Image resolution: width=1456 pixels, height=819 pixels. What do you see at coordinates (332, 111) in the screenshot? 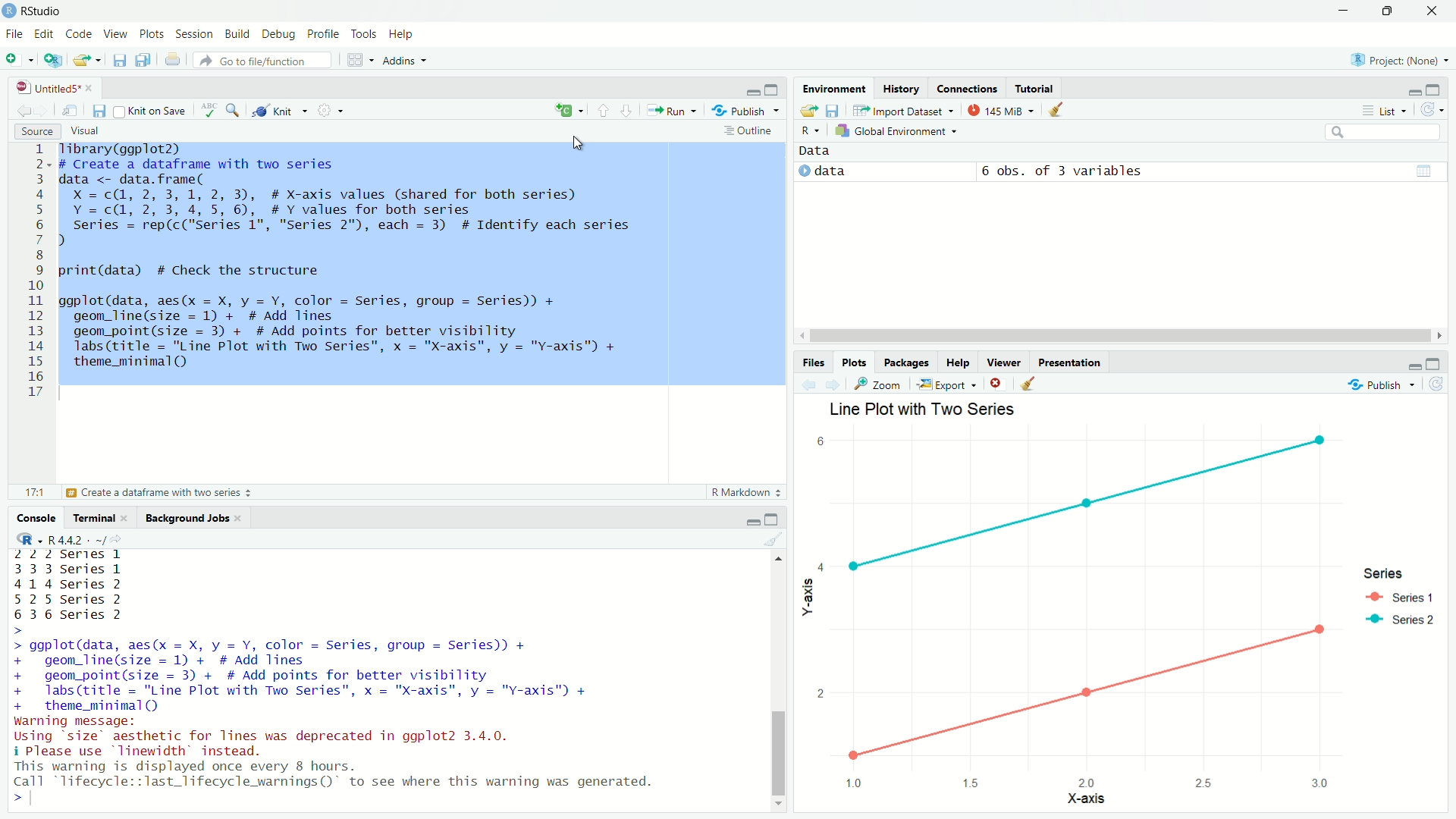
I see `Compilie Report` at bounding box center [332, 111].